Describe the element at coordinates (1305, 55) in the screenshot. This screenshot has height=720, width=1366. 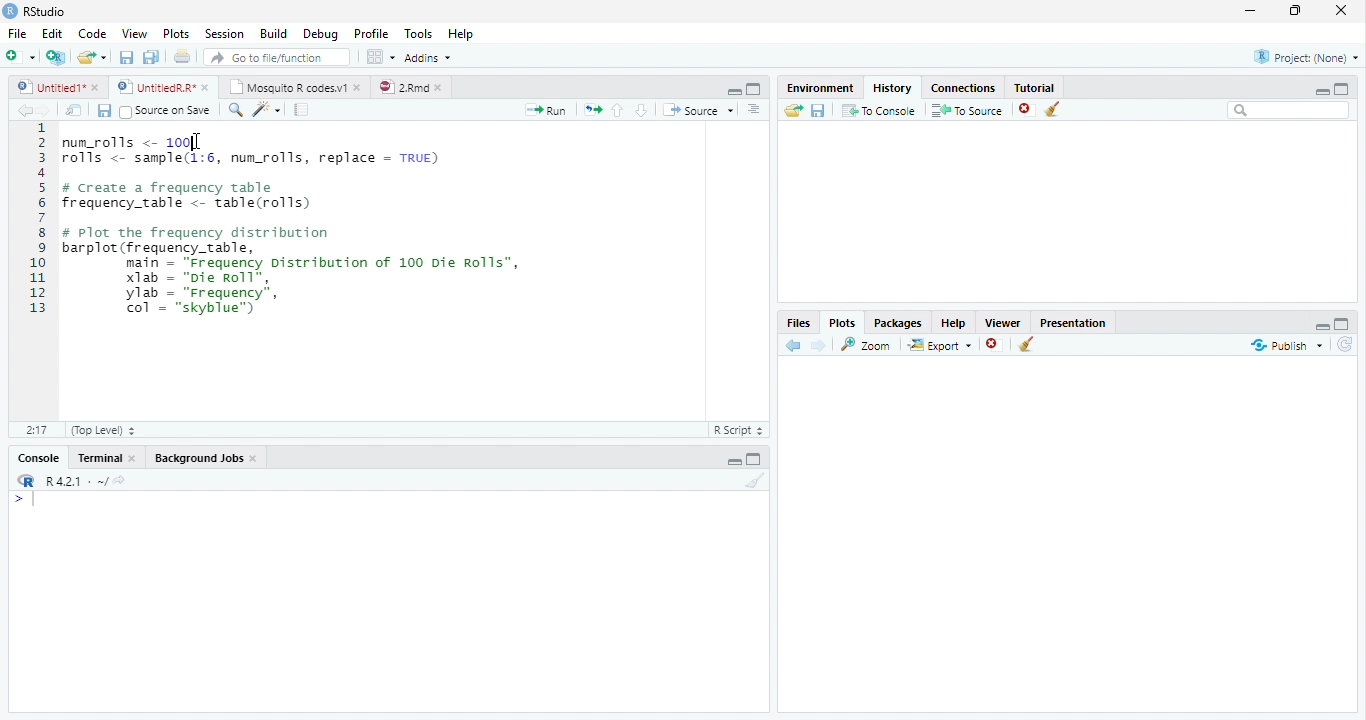
I see `Project: (None)` at that location.